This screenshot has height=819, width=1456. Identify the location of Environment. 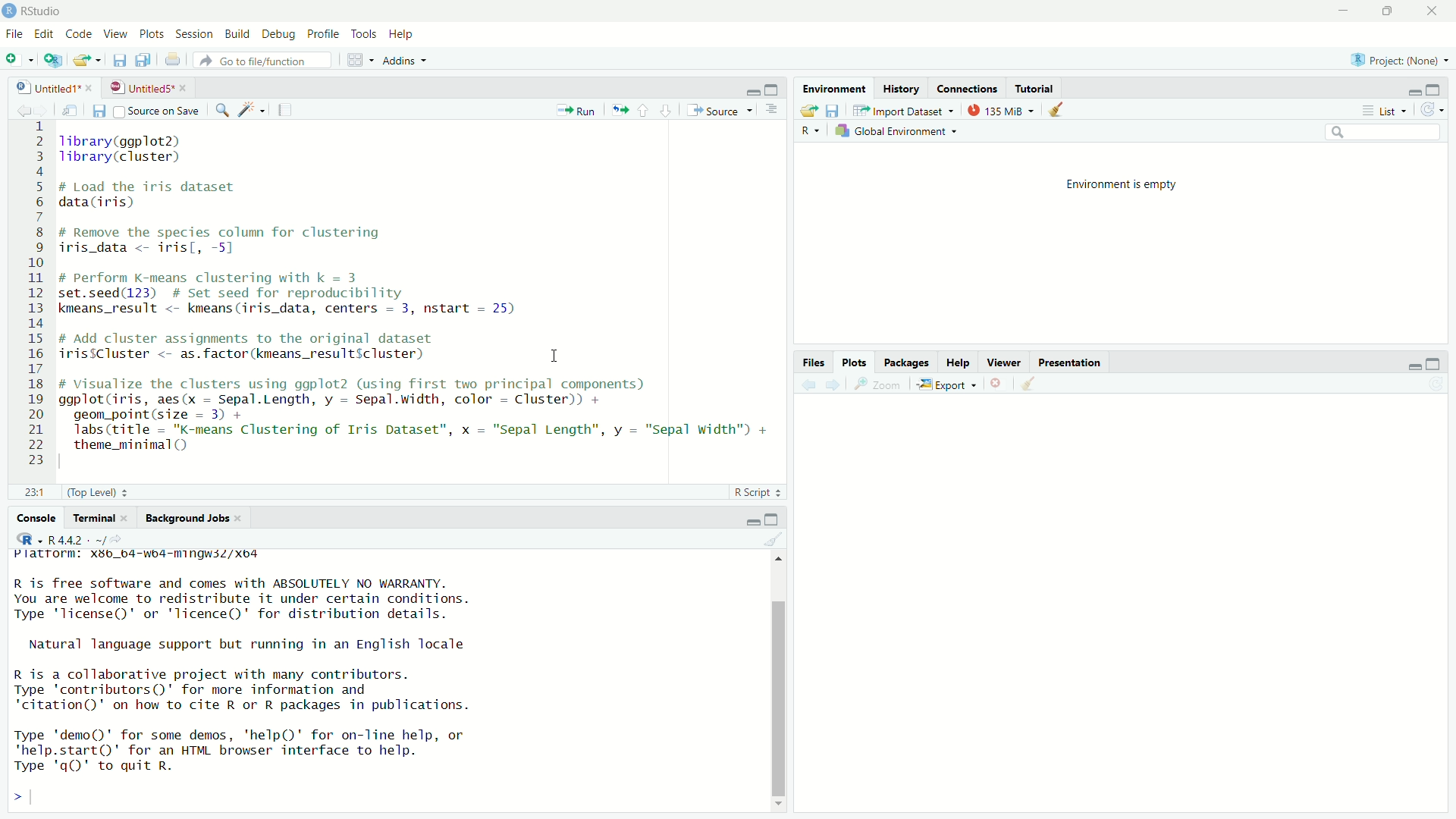
(835, 88).